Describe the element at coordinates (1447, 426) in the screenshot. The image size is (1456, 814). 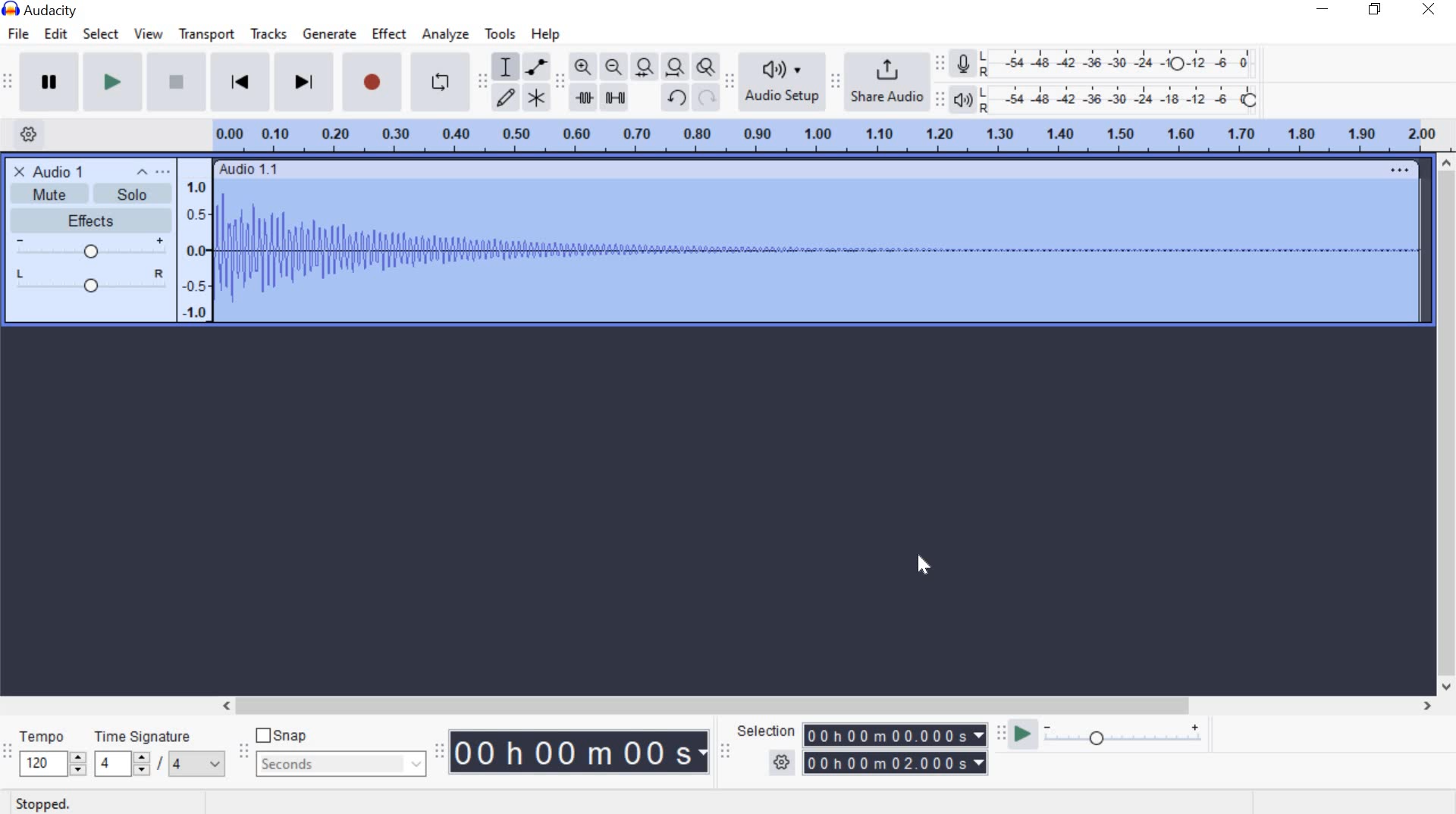
I see `scrollbar` at that location.